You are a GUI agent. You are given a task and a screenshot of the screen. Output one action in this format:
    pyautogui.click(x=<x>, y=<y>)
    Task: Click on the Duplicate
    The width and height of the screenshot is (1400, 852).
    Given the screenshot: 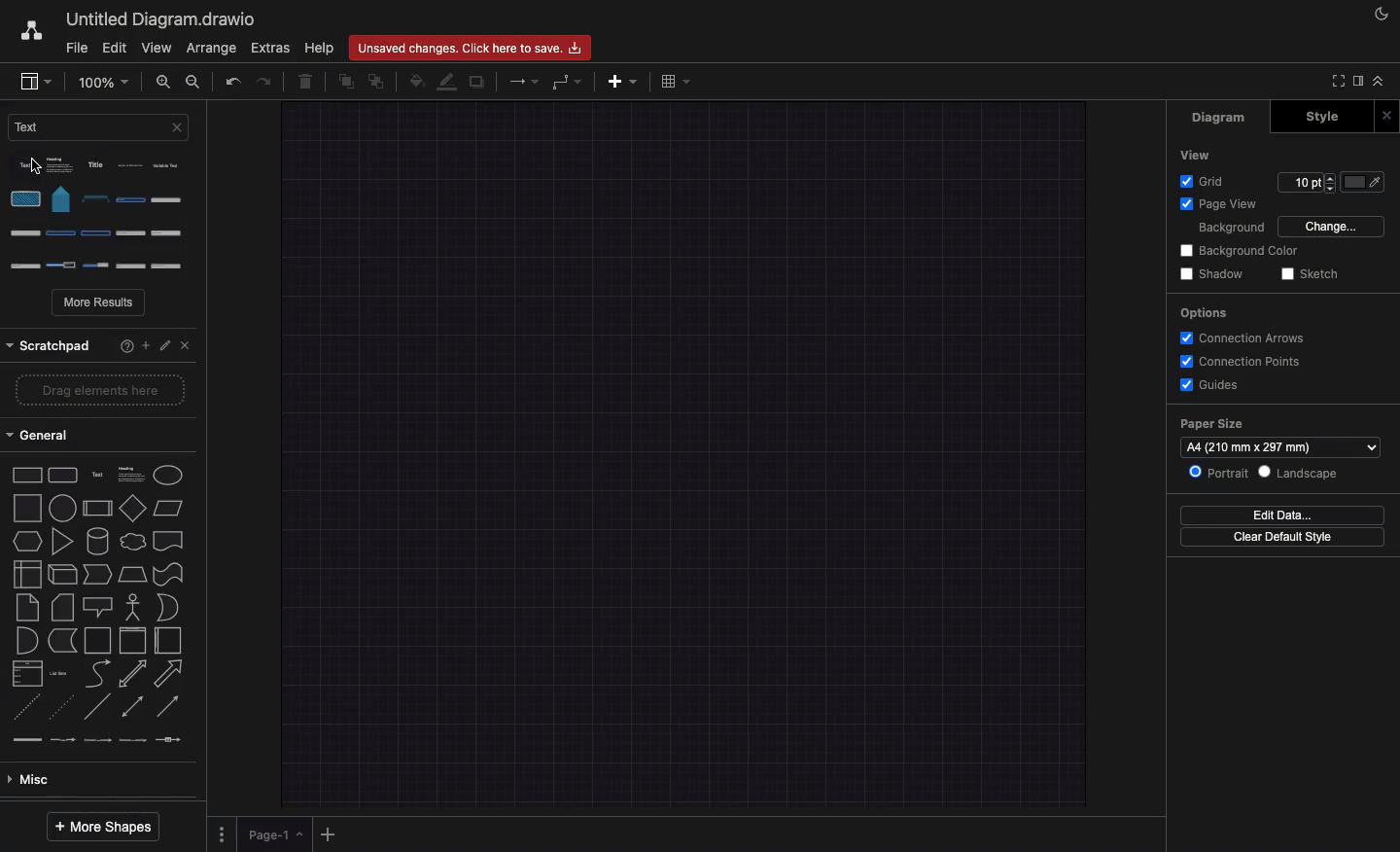 What is the action you would take?
    pyautogui.click(x=478, y=83)
    